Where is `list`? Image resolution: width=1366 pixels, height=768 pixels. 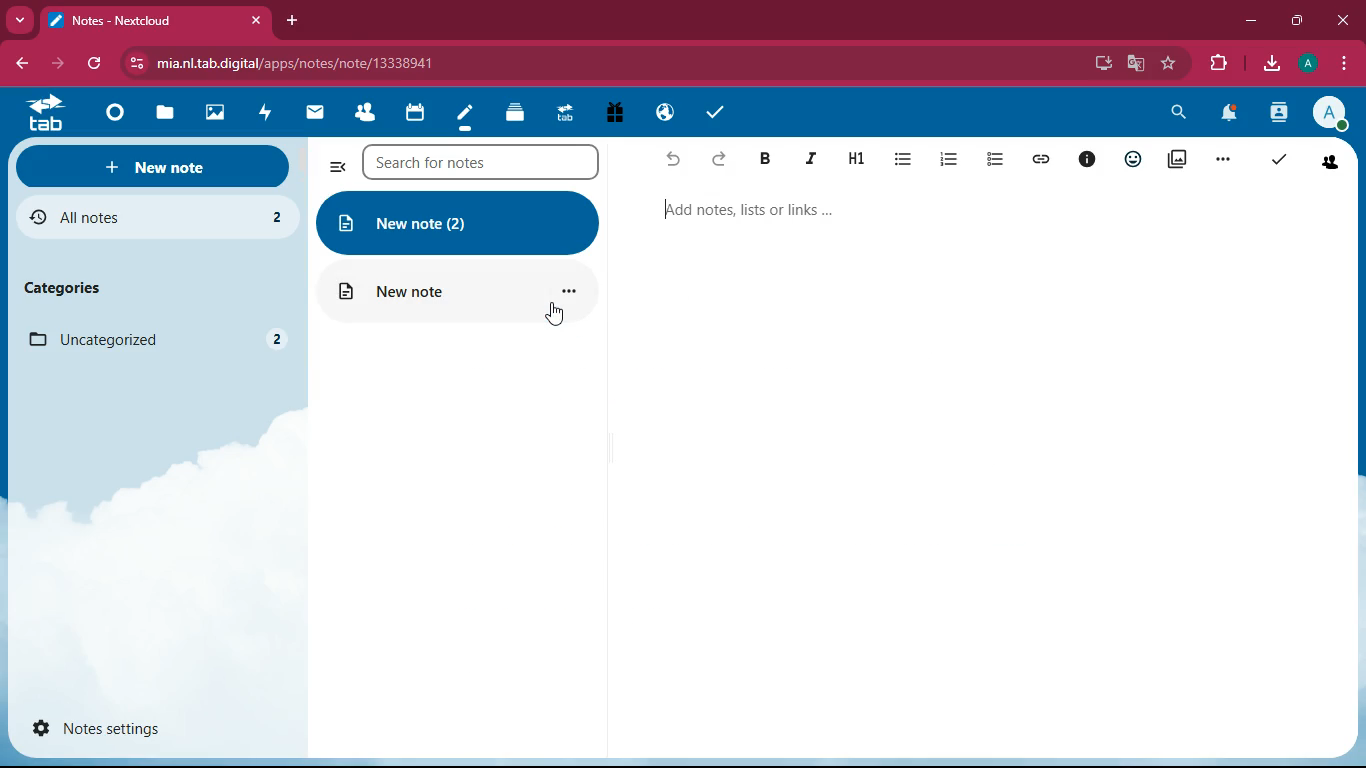 list is located at coordinates (907, 161).